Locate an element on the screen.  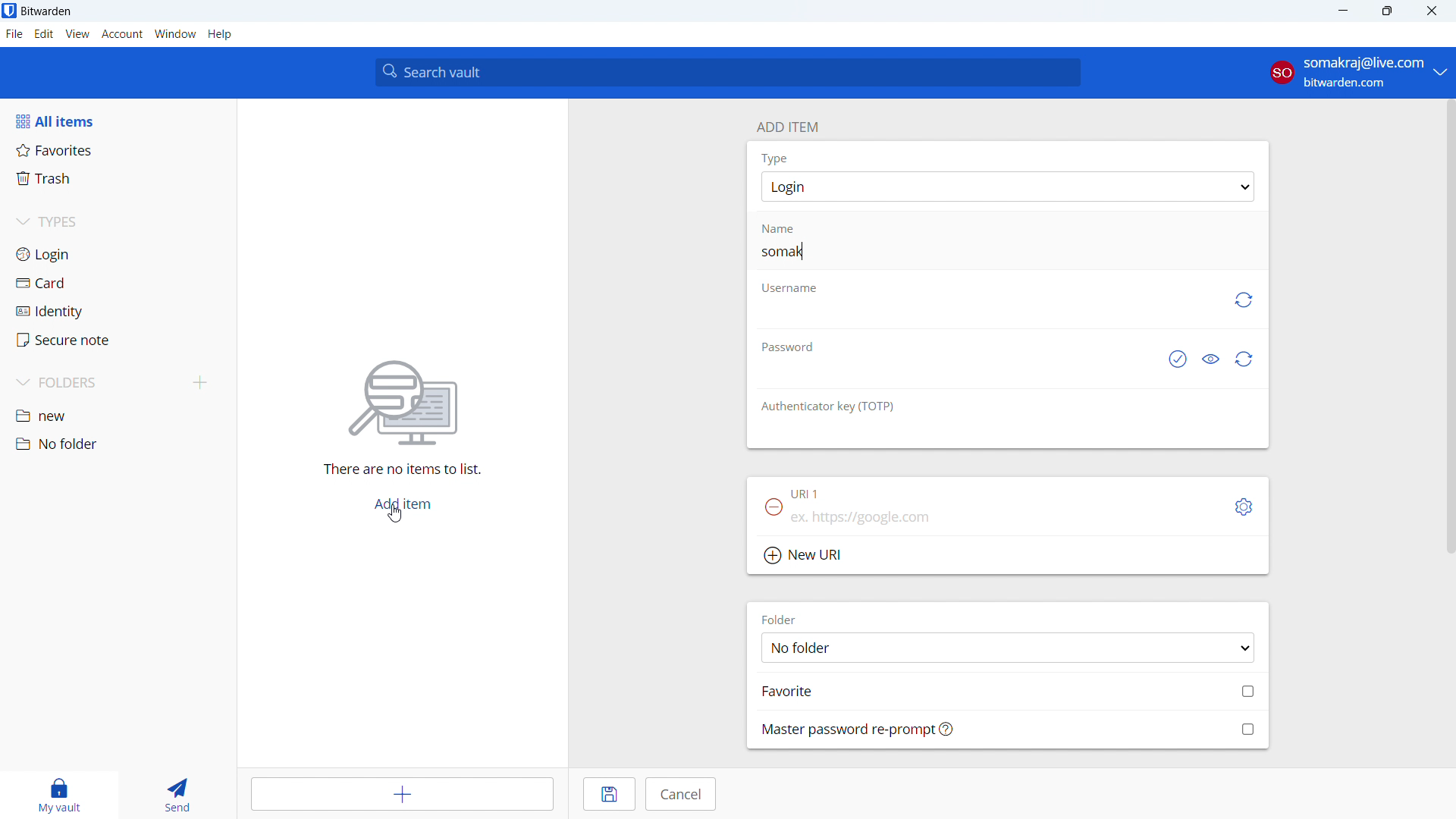
types is located at coordinates (117, 224).